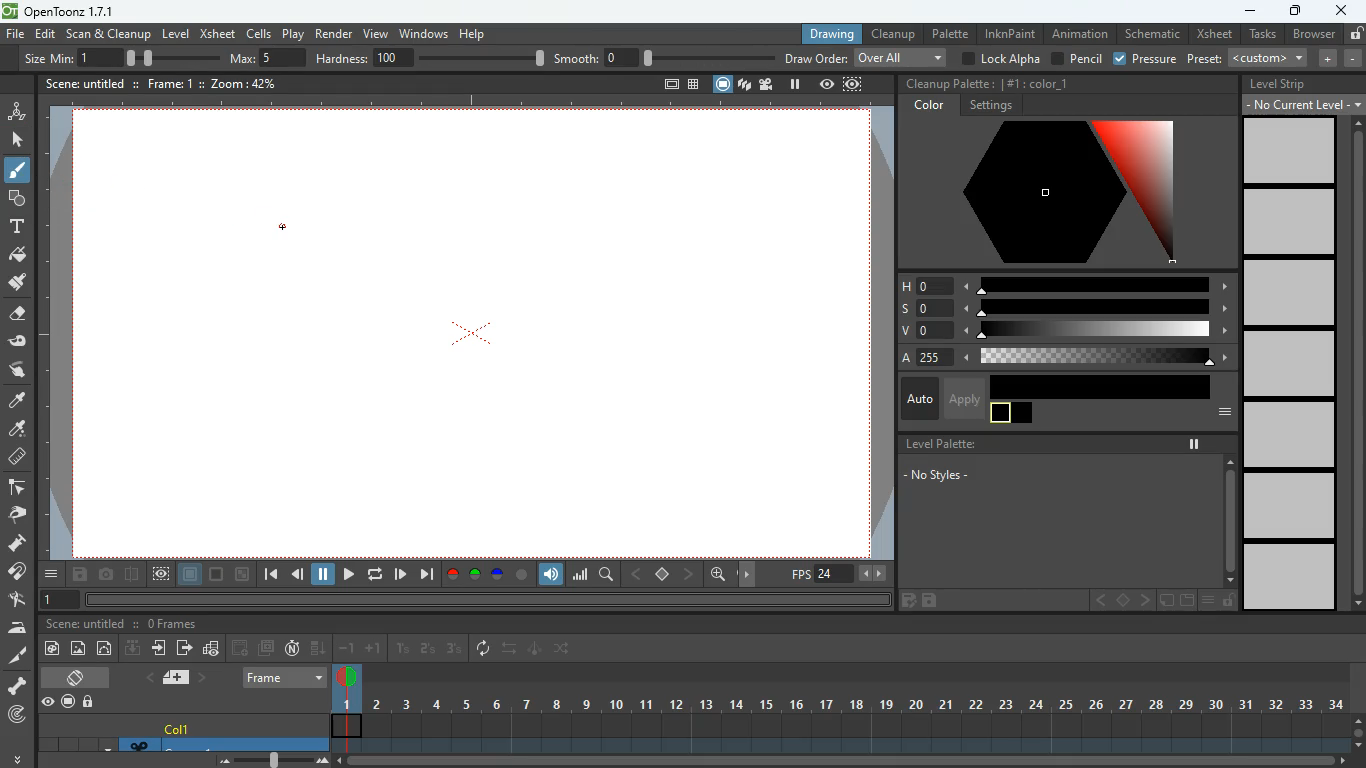 The height and width of the screenshot is (768, 1366). What do you see at coordinates (931, 106) in the screenshot?
I see `color` at bounding box center [931, 106].